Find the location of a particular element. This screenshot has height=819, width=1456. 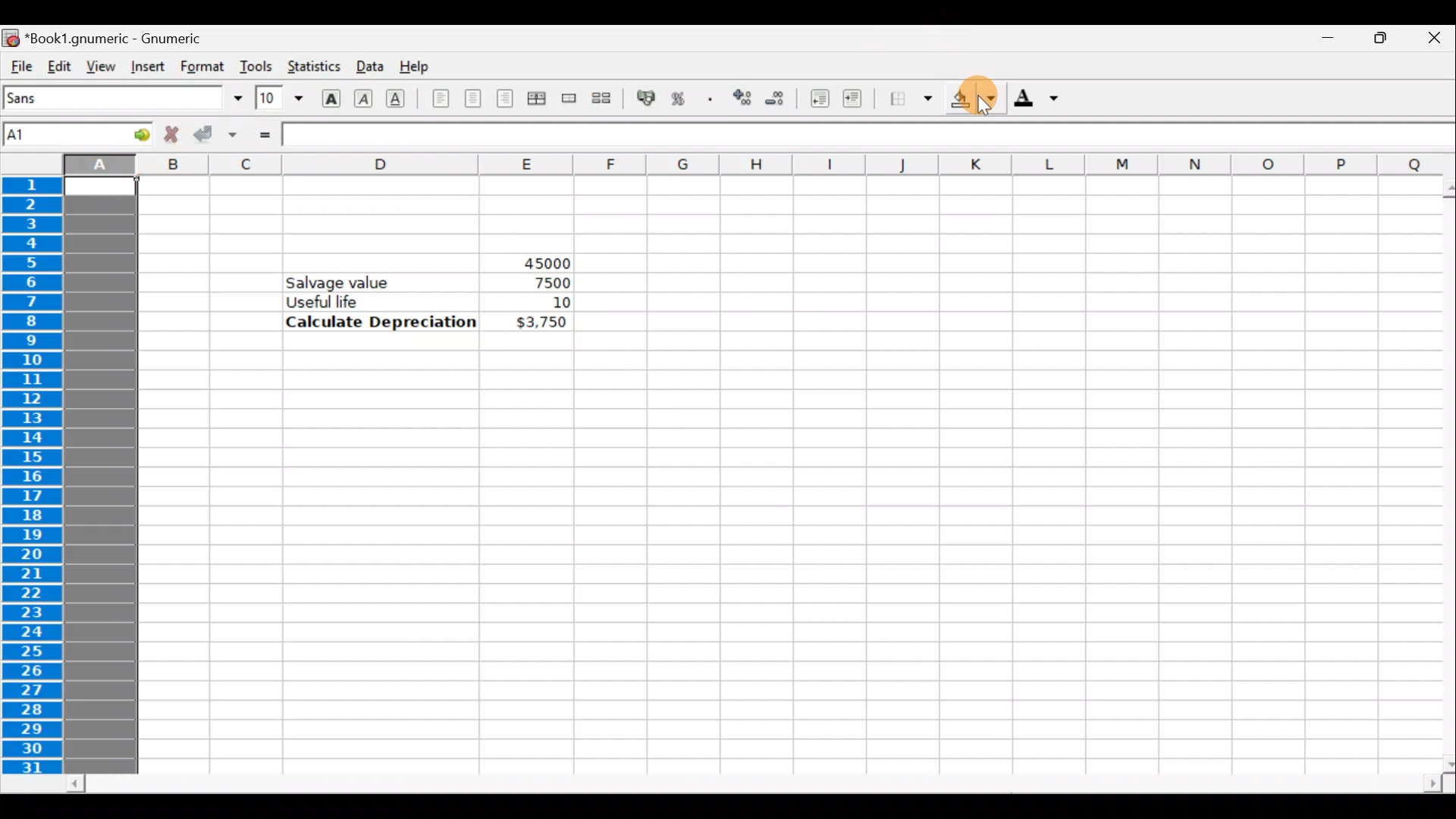

Cursor on background color is located at coordinates (984, 99).